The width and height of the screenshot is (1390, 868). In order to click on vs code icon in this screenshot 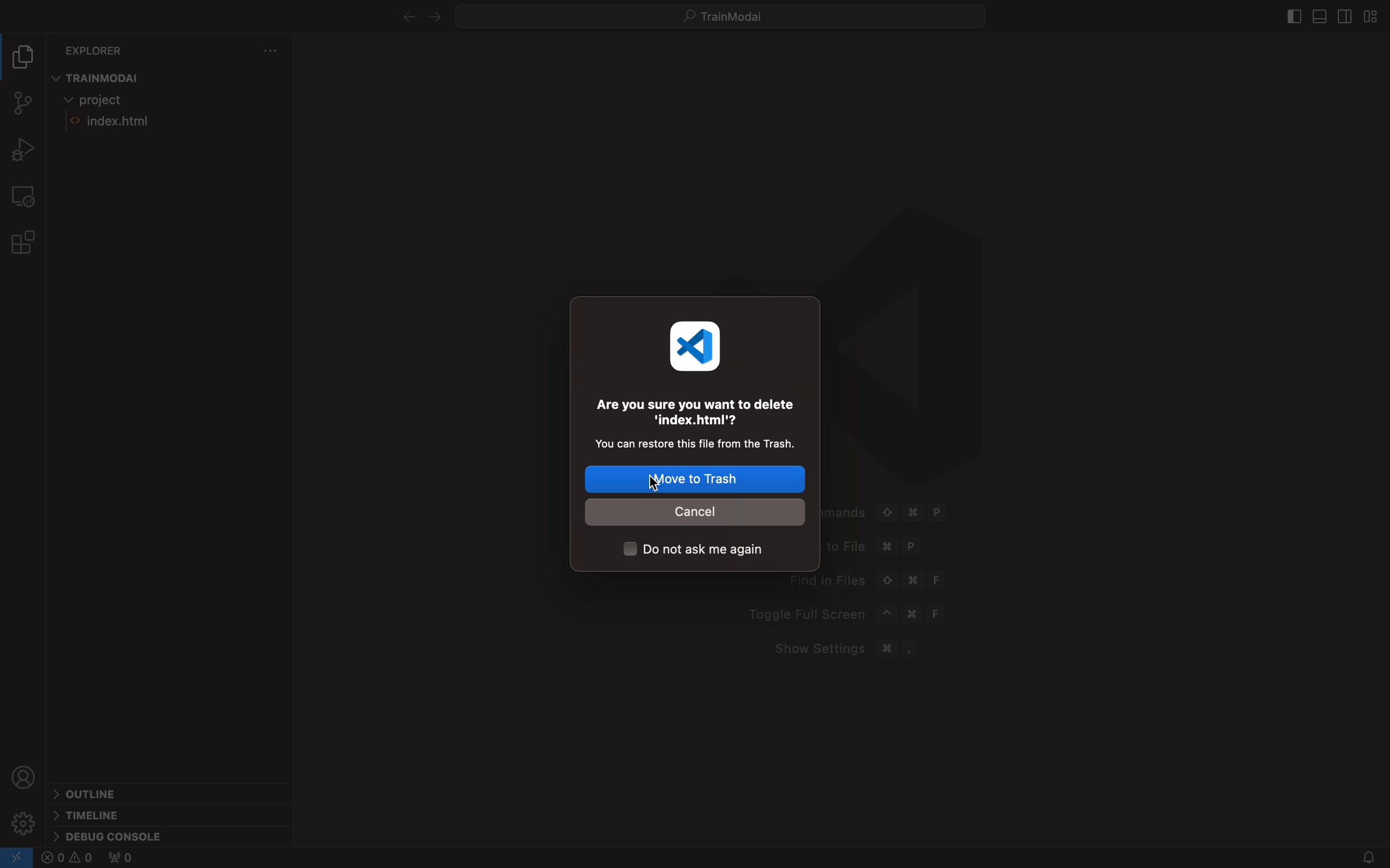, I will do `click(698, 345)`.